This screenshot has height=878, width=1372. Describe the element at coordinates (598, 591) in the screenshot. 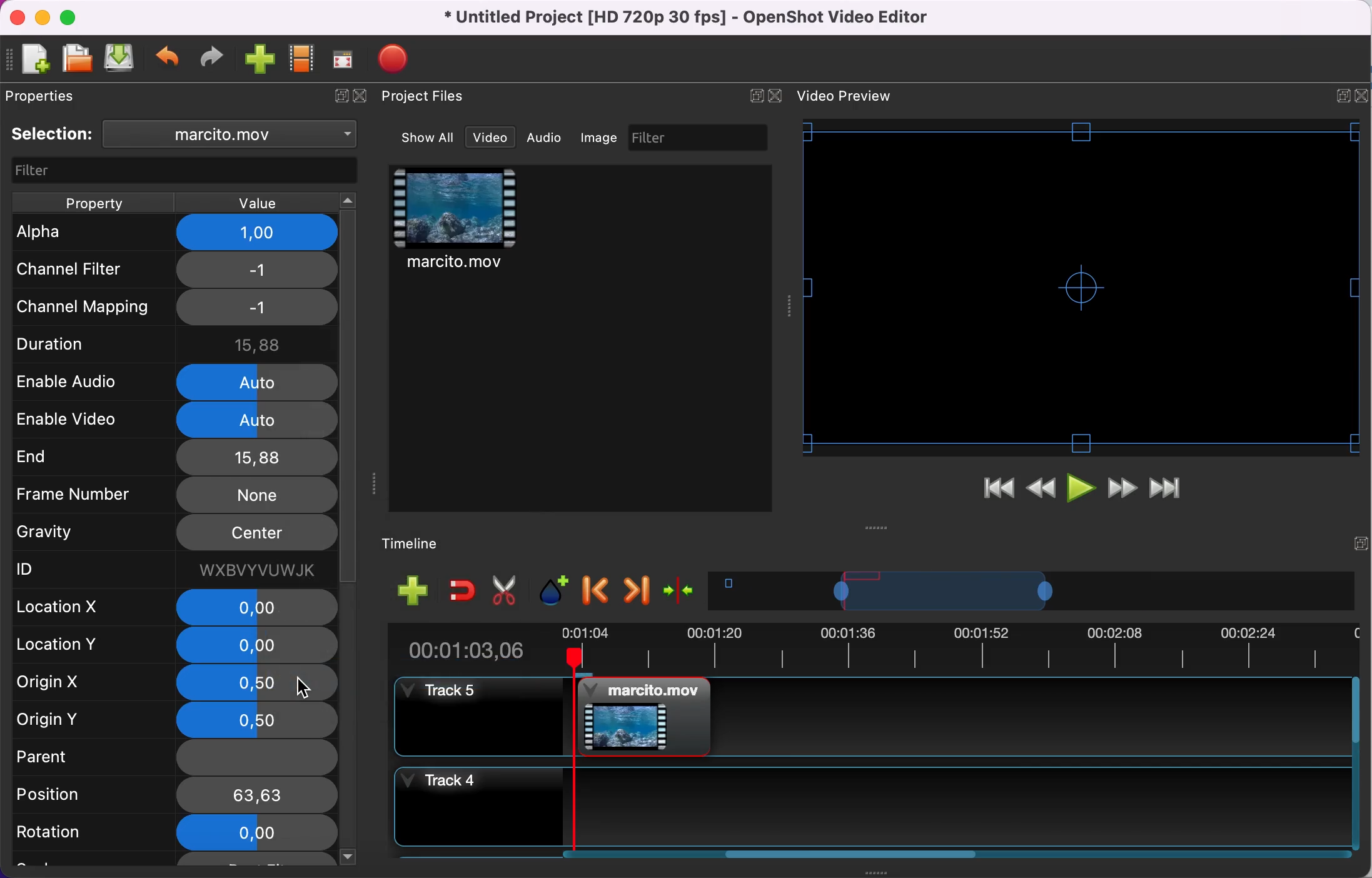

I see `previous marker` at that location.